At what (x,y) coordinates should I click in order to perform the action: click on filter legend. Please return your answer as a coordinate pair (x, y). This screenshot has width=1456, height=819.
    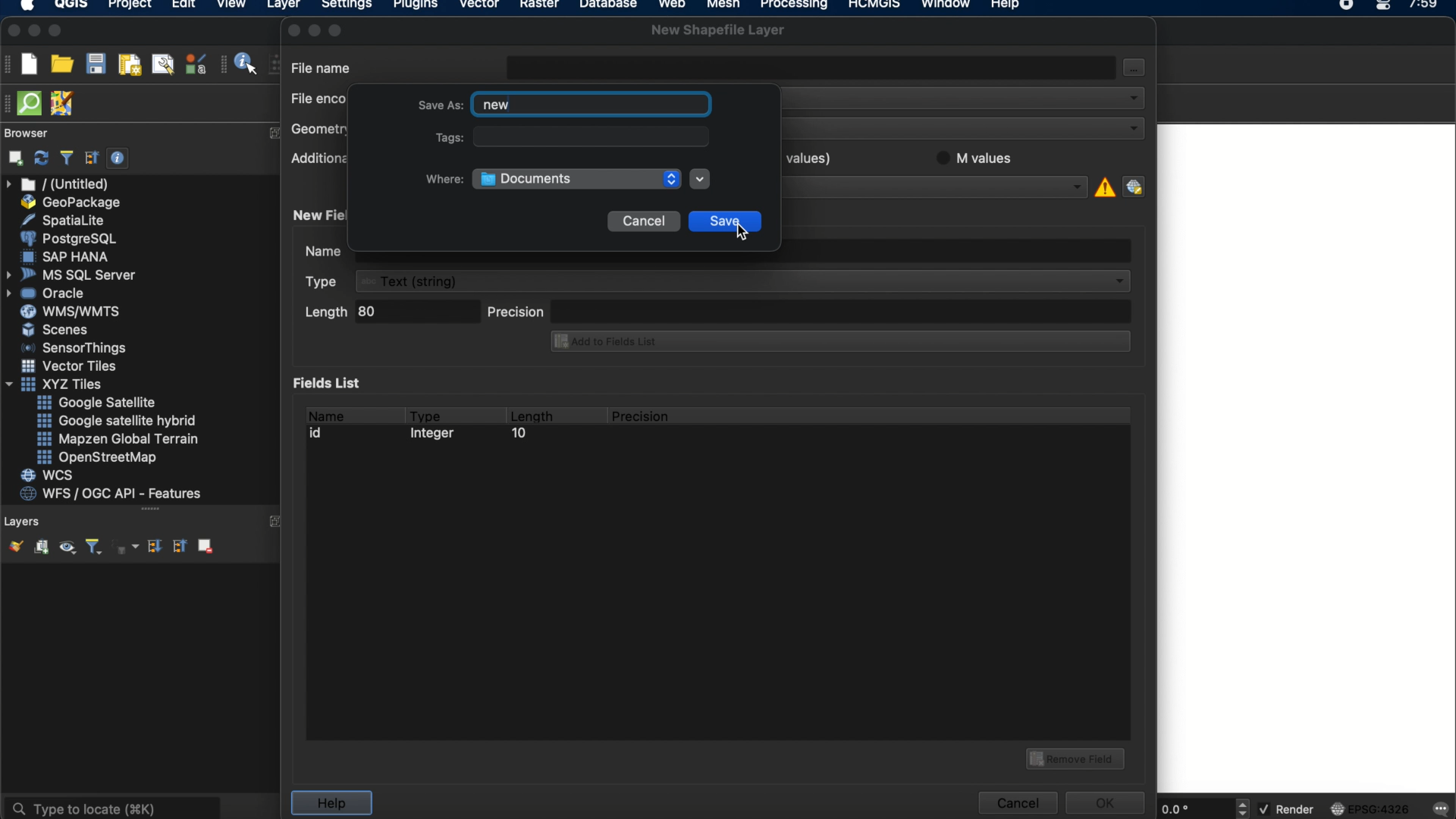
    Looking at the image, I should click on (93, 548).